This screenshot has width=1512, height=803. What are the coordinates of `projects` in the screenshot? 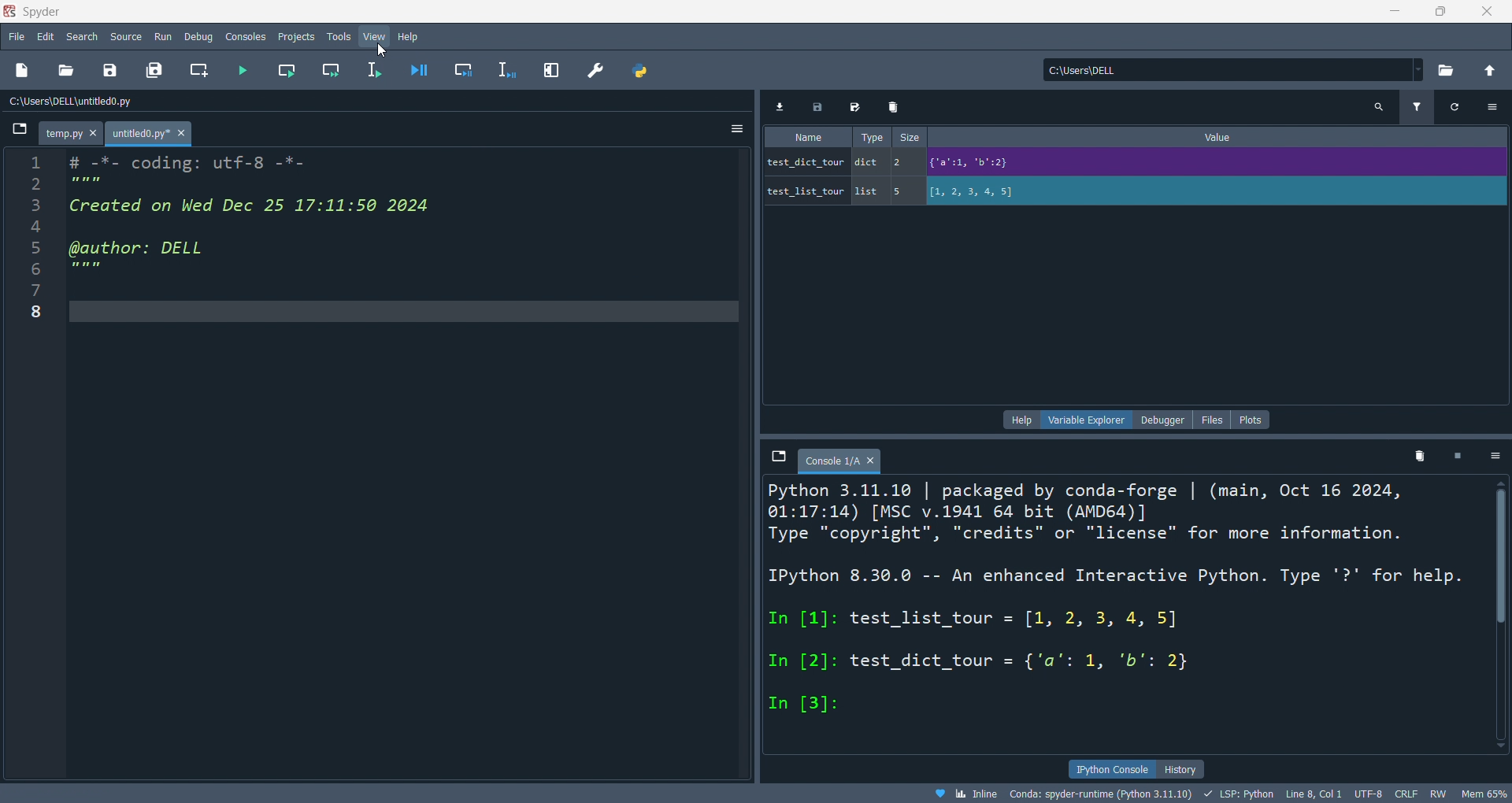 It's located at (301, 37).